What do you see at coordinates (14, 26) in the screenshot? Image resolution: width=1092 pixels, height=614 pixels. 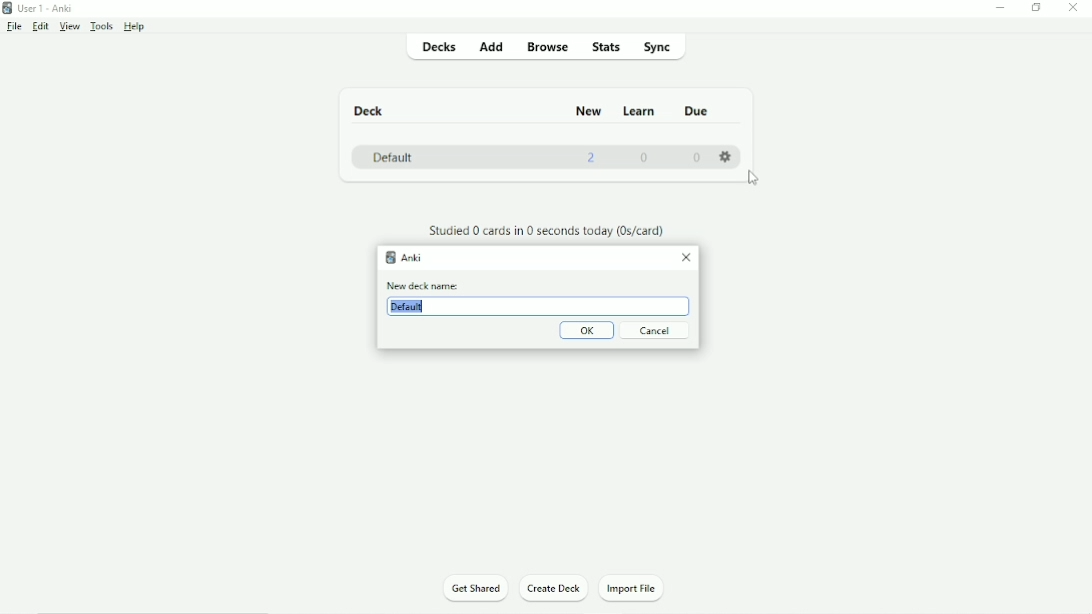 I see `File` at bounding box center [14, 26].